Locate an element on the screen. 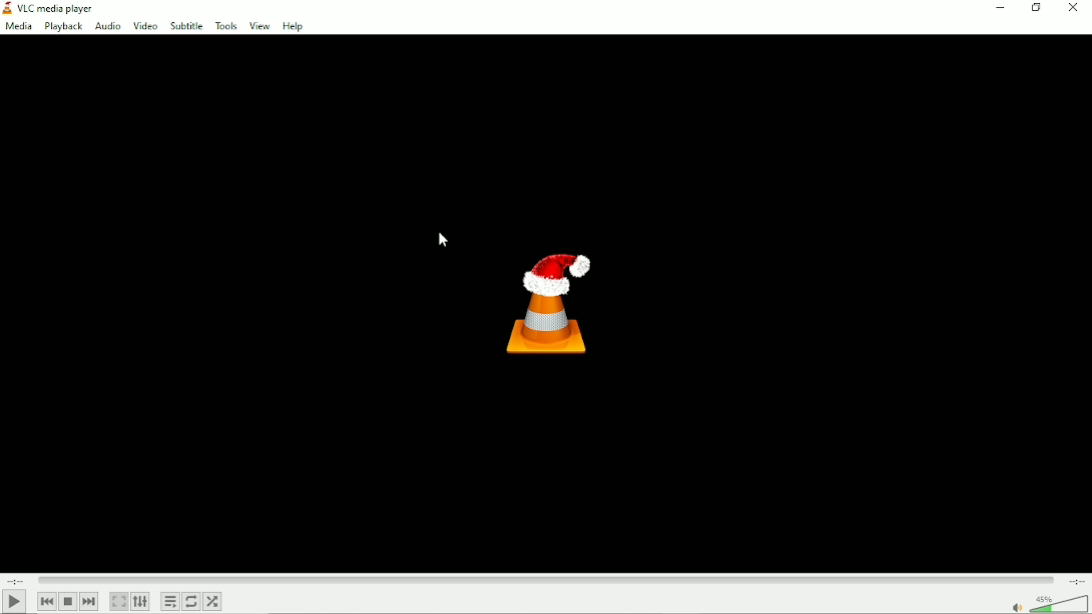  Previous is located at coordinates (46, 601).